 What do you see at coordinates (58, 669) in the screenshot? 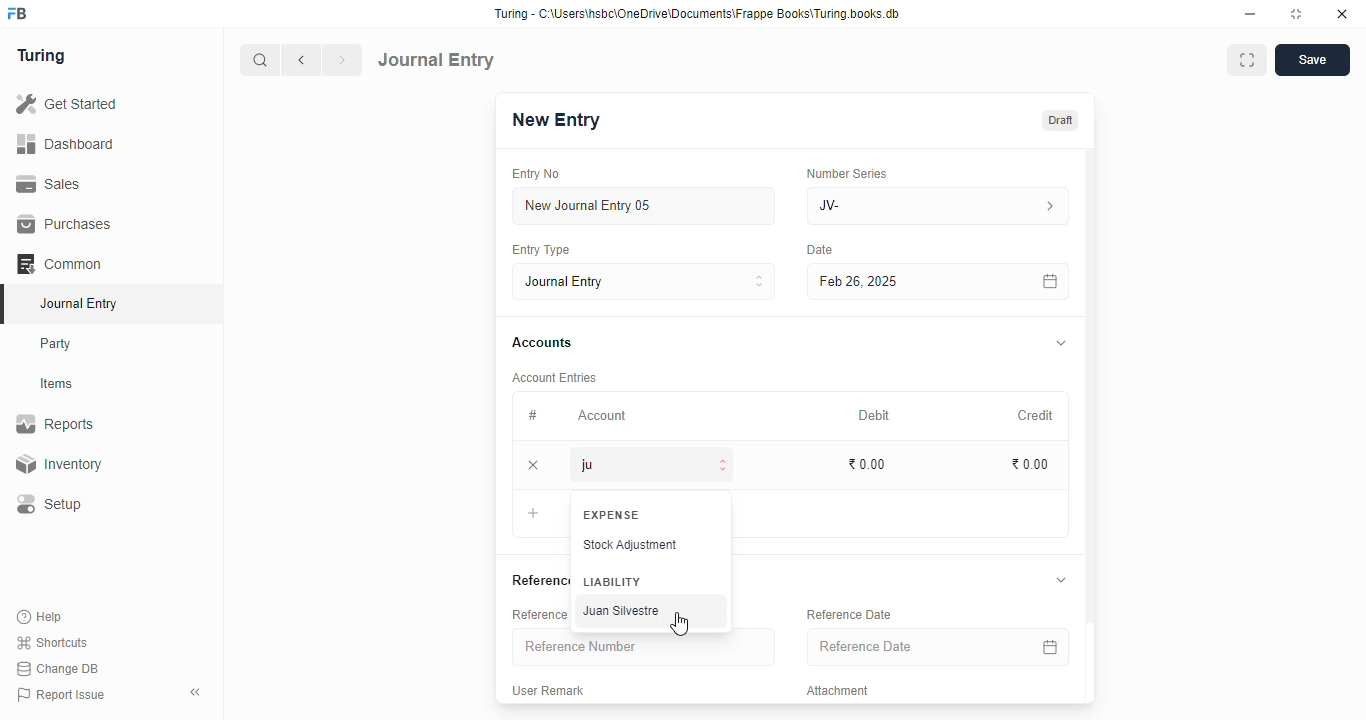
I see `change DB` at bounding box center [58, 669].